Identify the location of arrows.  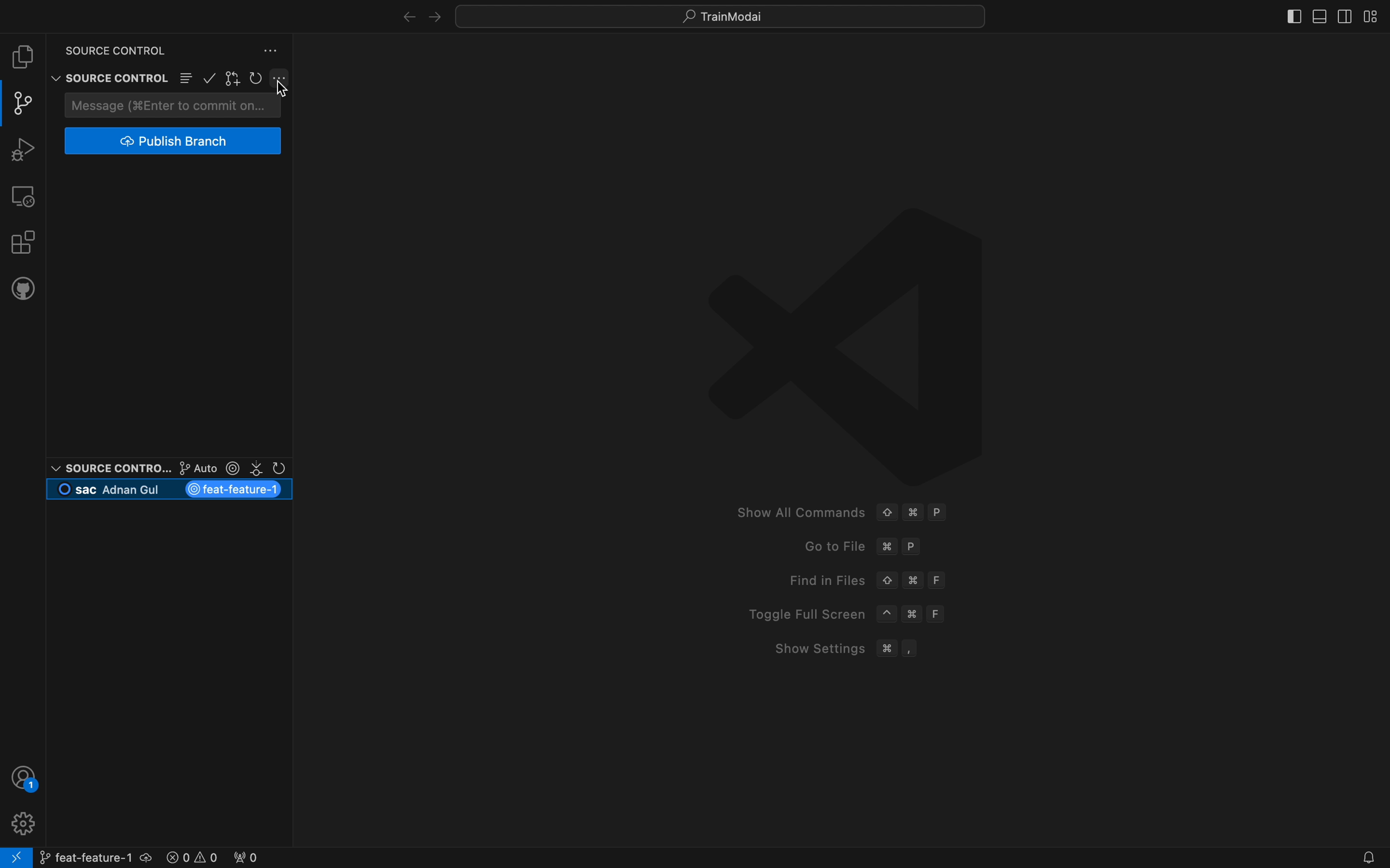
(416, 15).